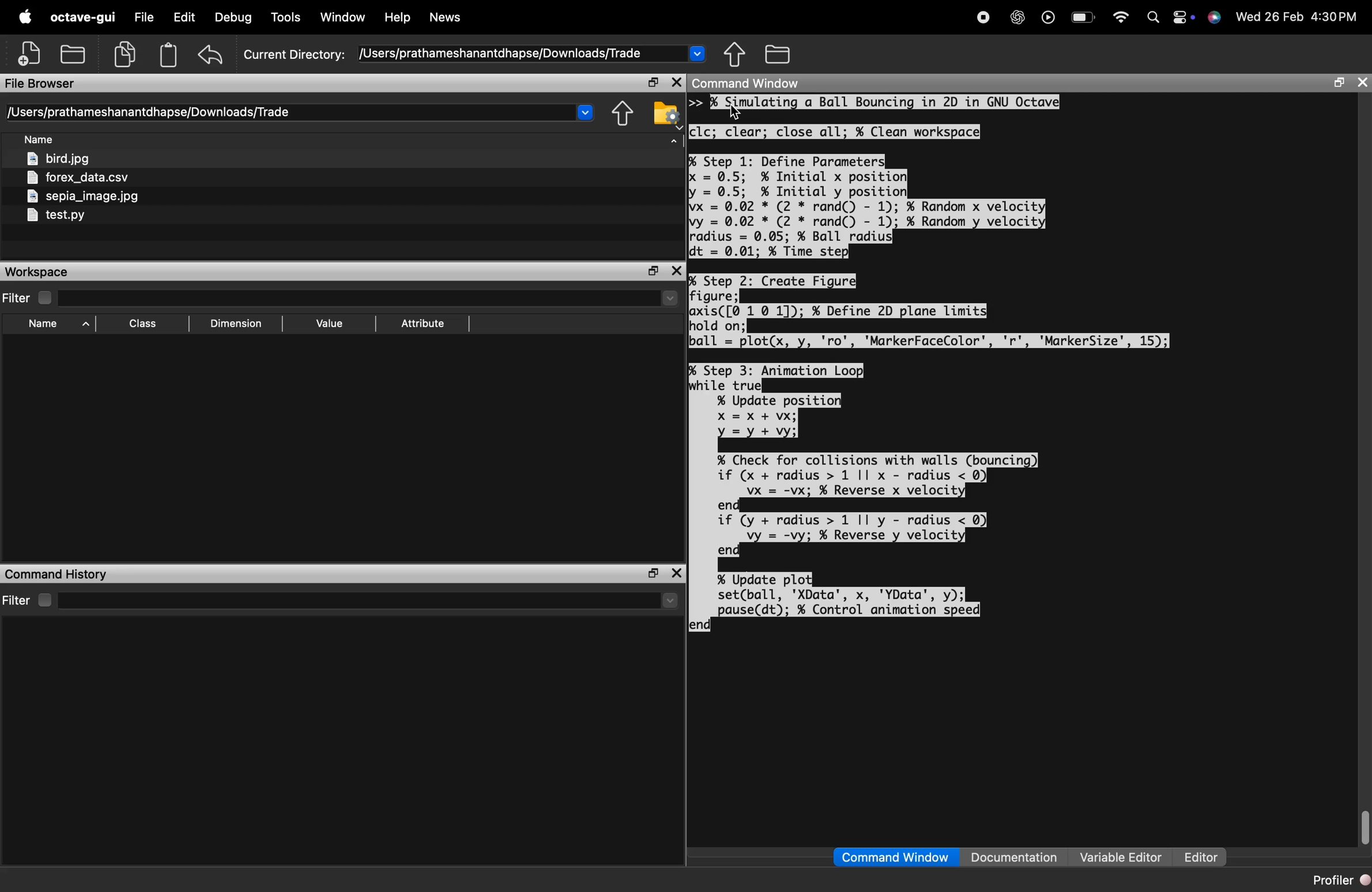  I want to click on command window, so click(748, 82).